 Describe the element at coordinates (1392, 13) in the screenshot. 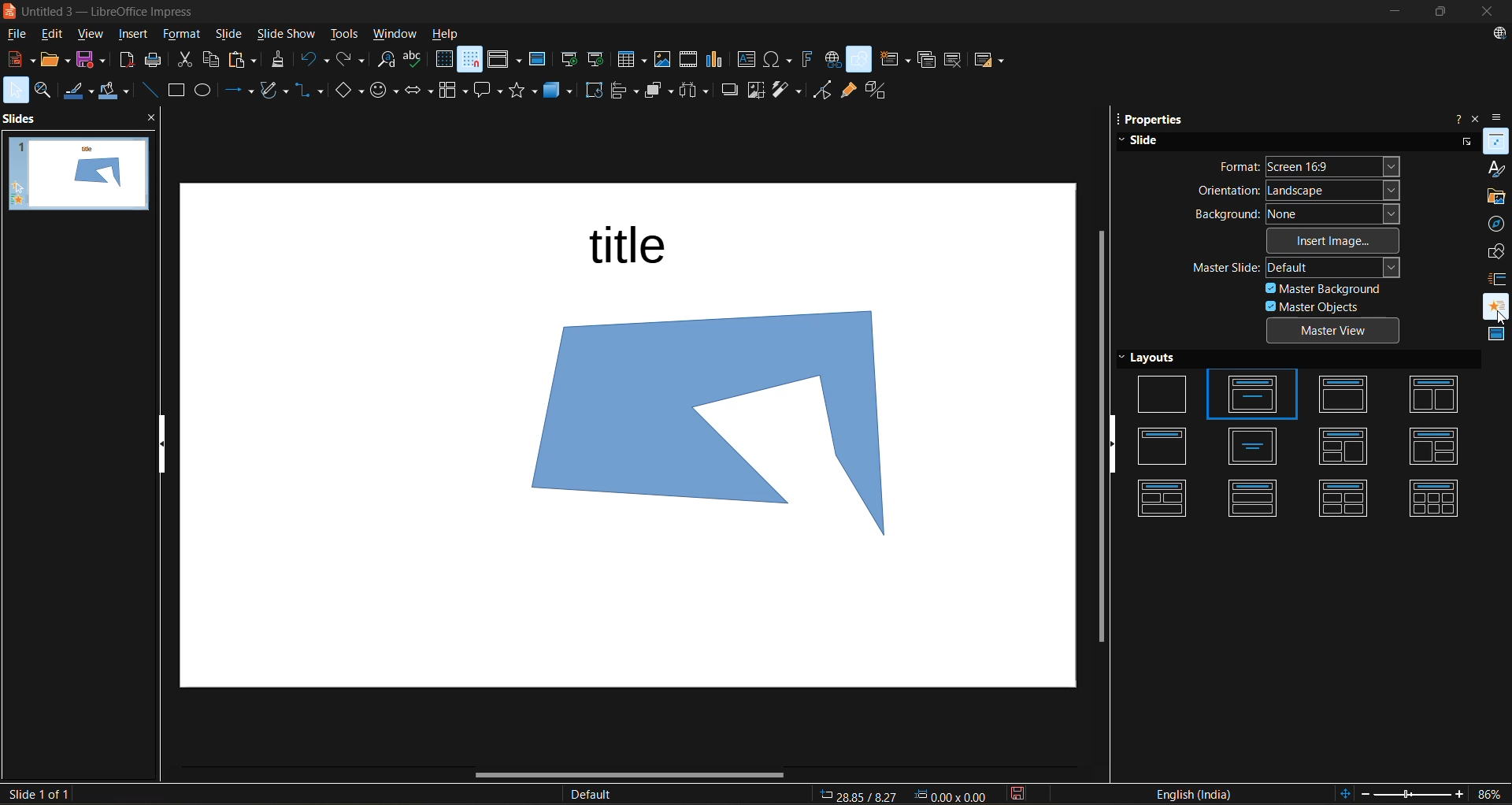

I see `minimize` at that location.